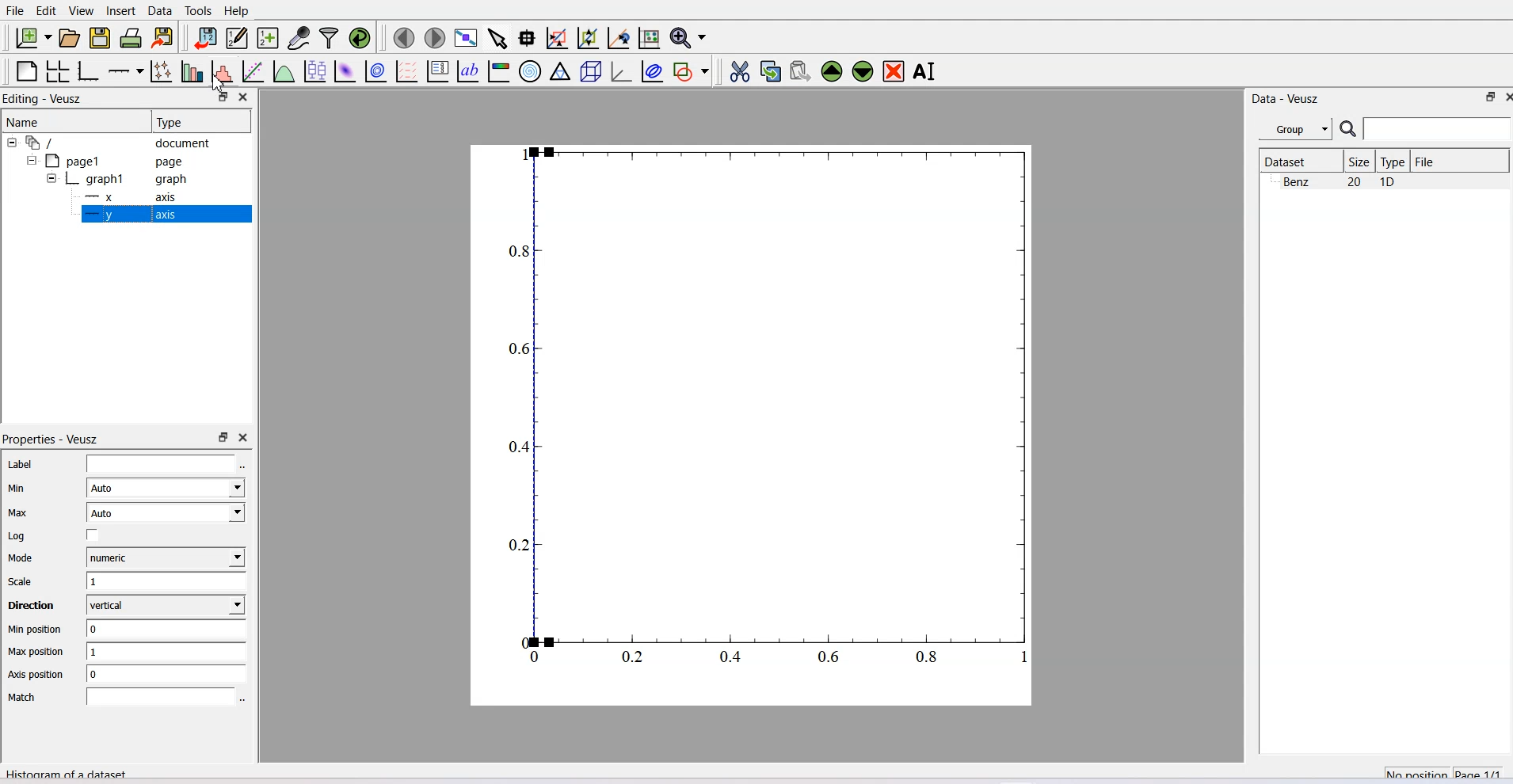 The height and width of the screenshot is (784, 1513). What do you see at coordinates (124, 673) in the screenshot?
I see `Axis position` at bounding box center [124, 673].